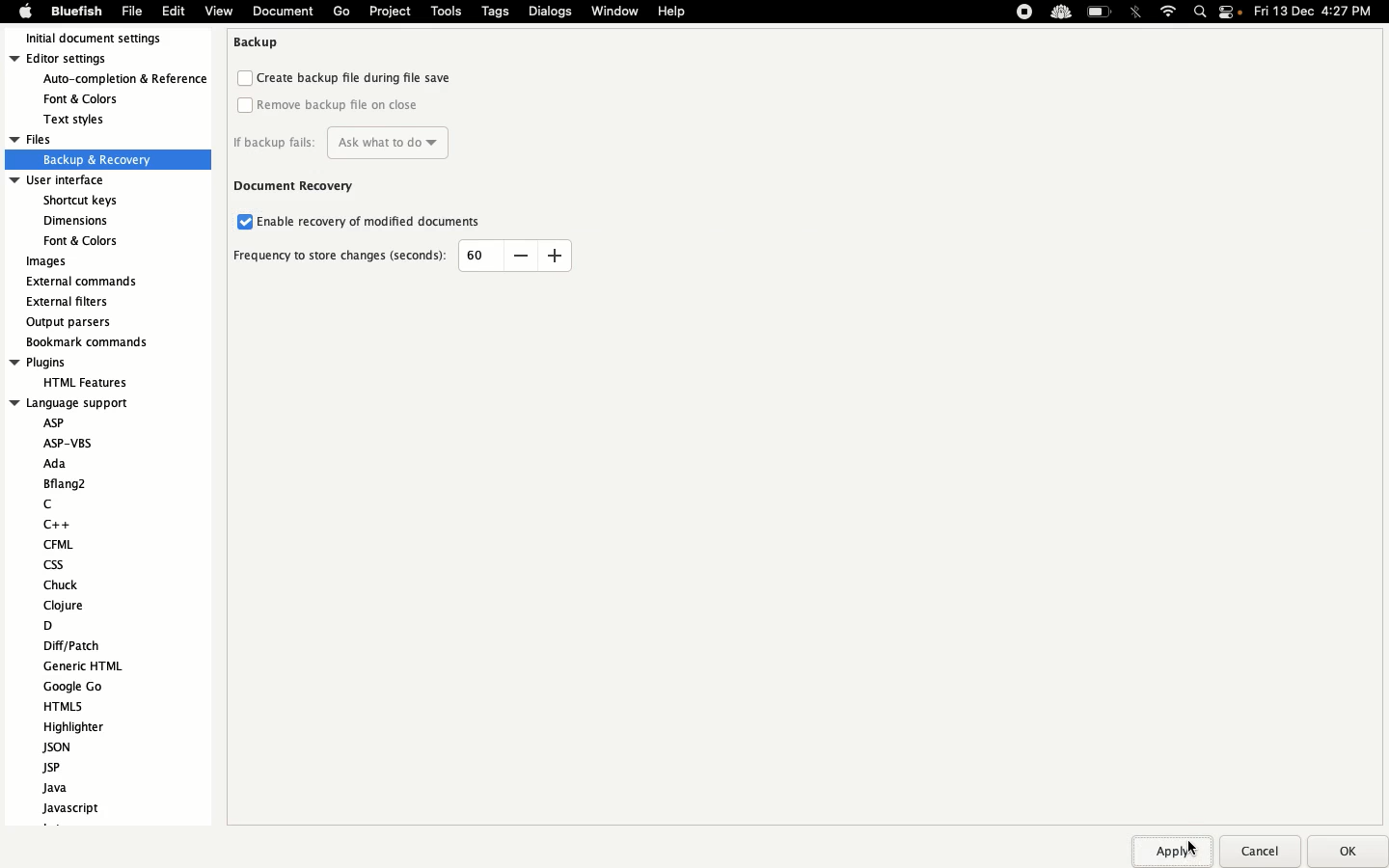 Image resolution: width=1389 pixels, height=868 pixels. What do you see at coordinates (341, 142) in the screenshot?
I see `If backup fails` at bounding box center [341, 142].